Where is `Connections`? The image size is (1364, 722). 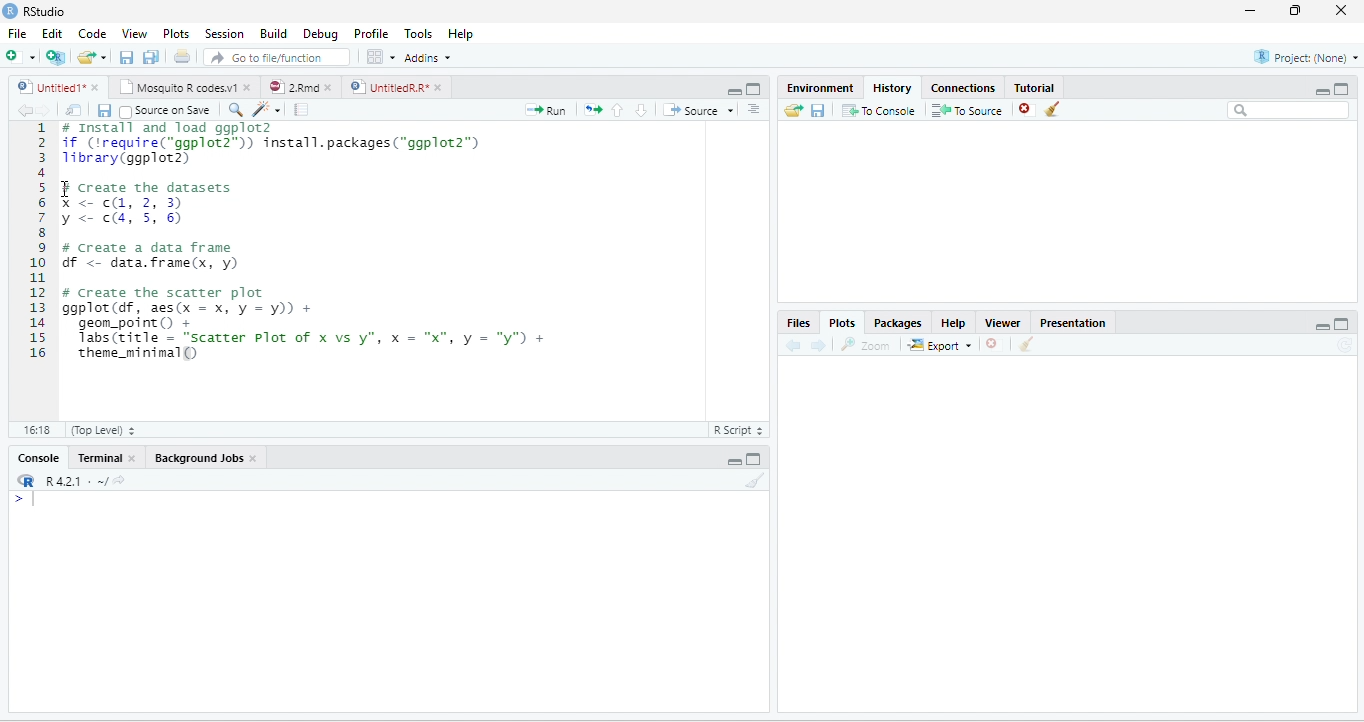 Connections is located at coordinates (964, 87).